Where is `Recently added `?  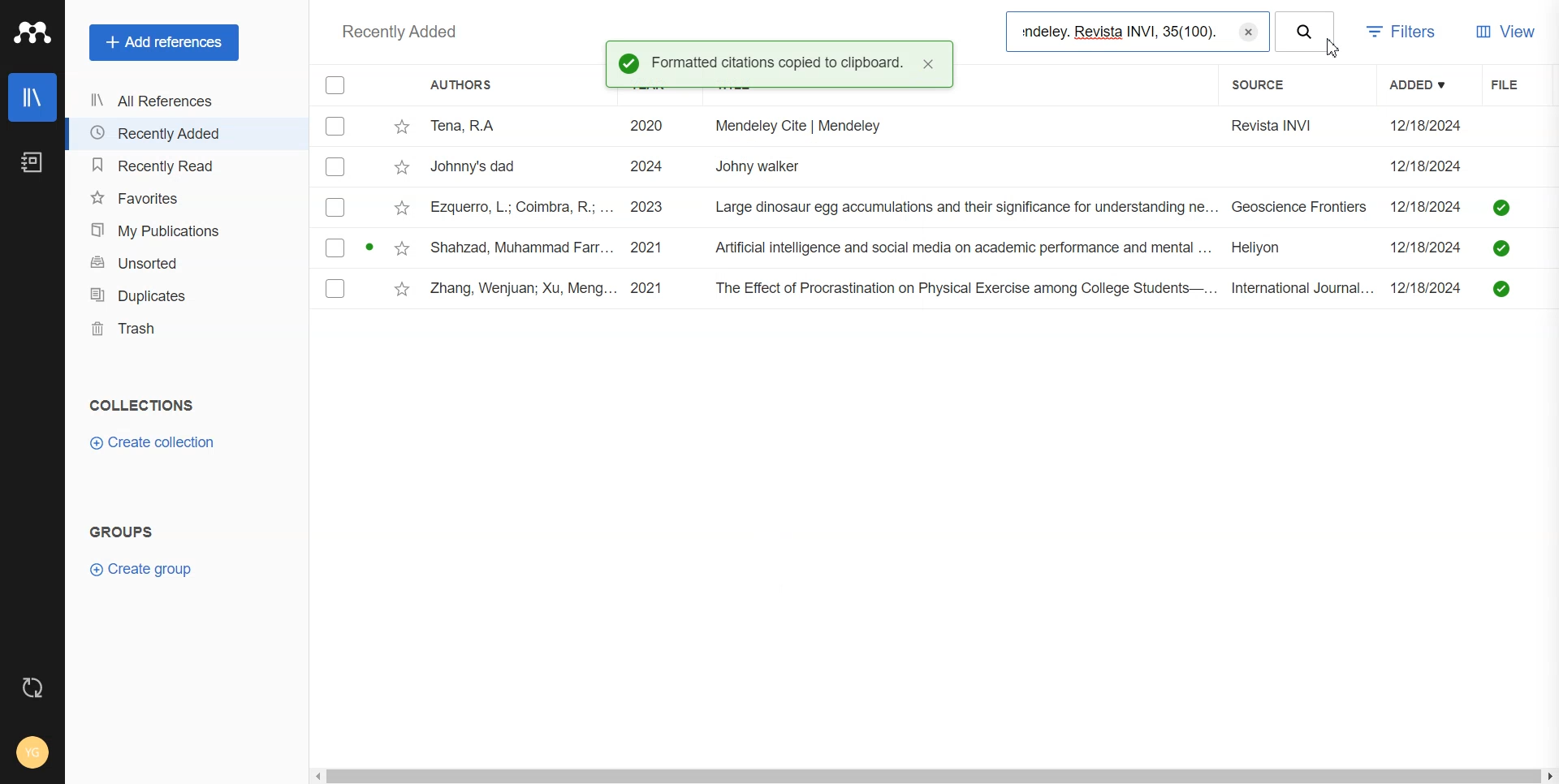
Recently added  is located at coordinates (401, 33).